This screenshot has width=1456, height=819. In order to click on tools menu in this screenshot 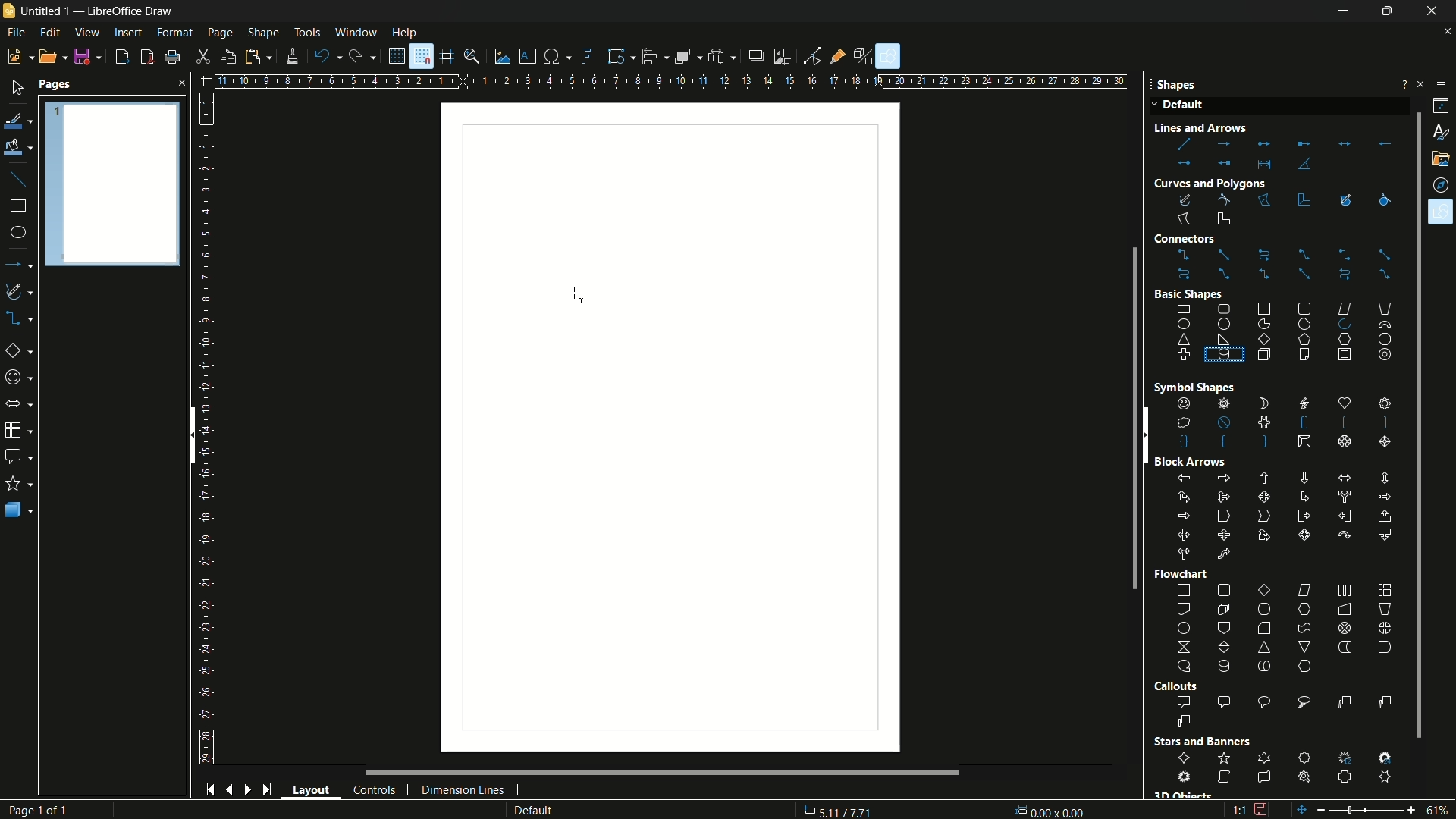, I will do `click(307, 33)`.